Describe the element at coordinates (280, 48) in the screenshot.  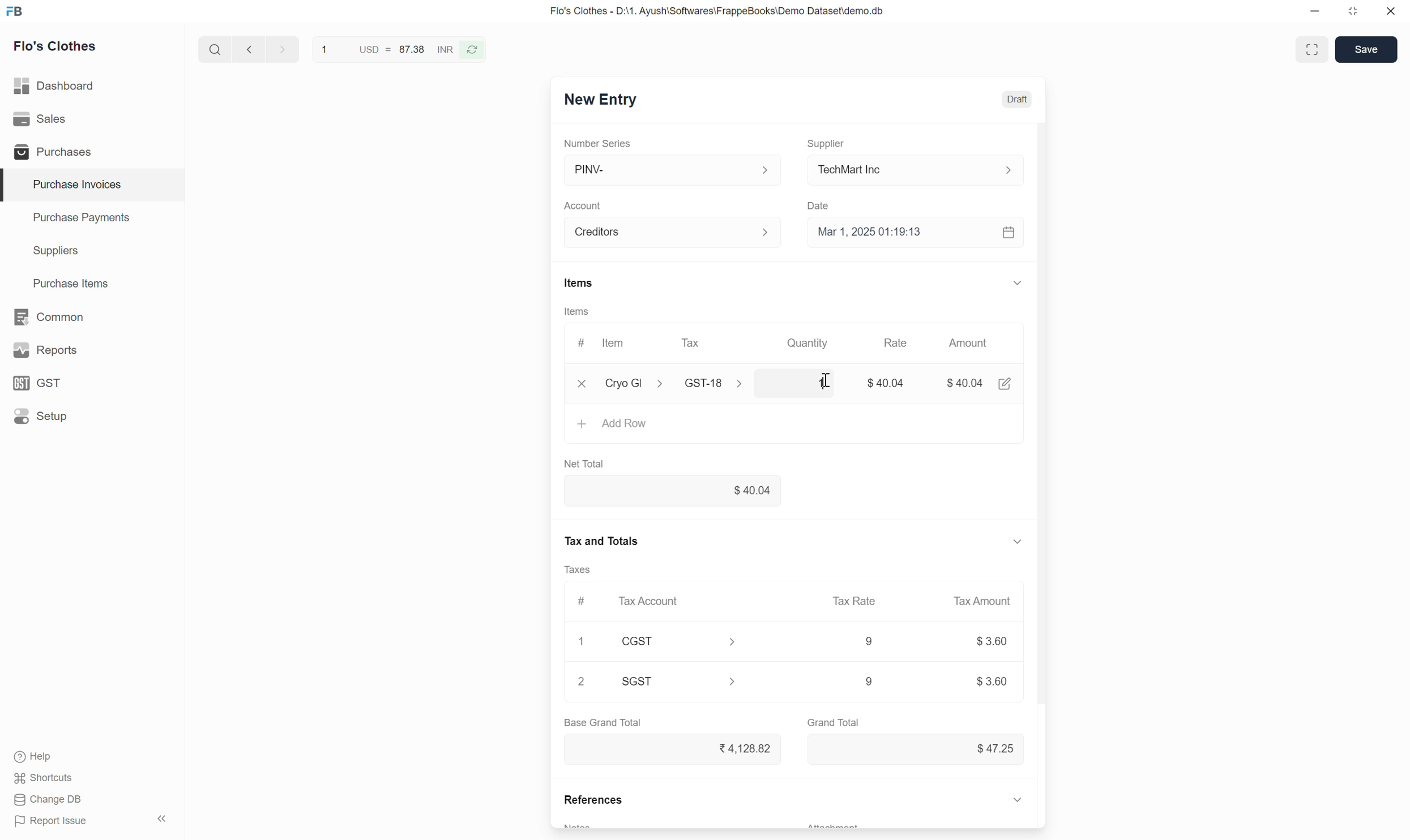
I see `previous` at that location.